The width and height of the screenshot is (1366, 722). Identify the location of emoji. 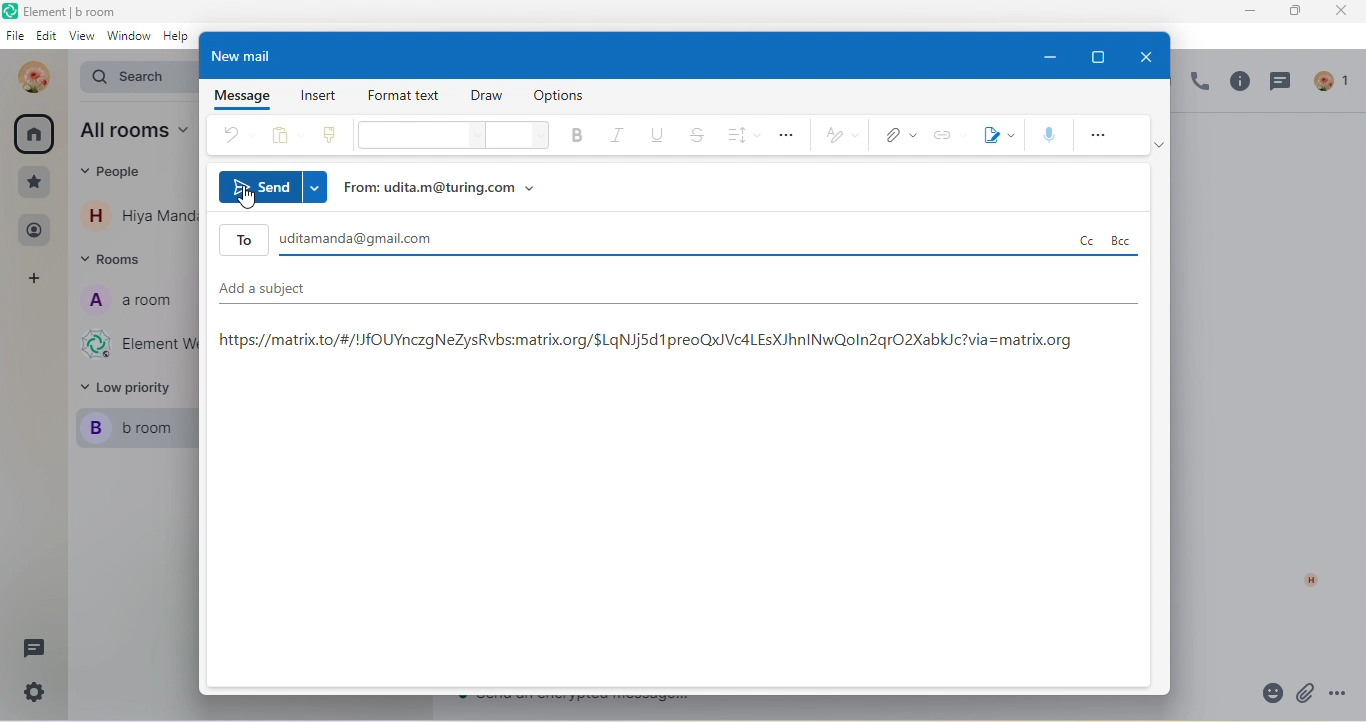
(1264, 694).